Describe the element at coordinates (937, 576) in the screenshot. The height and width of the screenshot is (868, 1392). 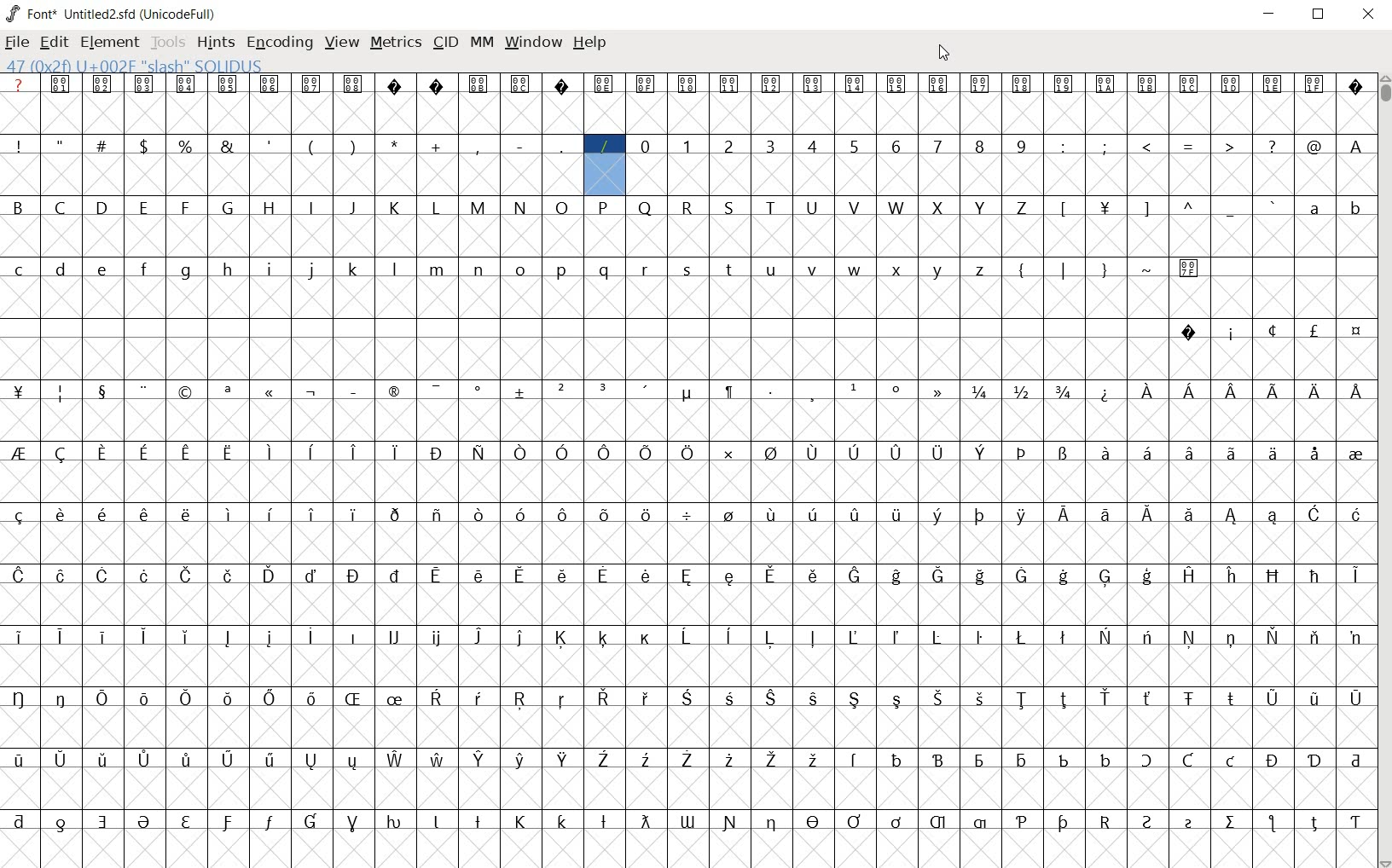
I see `glyph` at that location.